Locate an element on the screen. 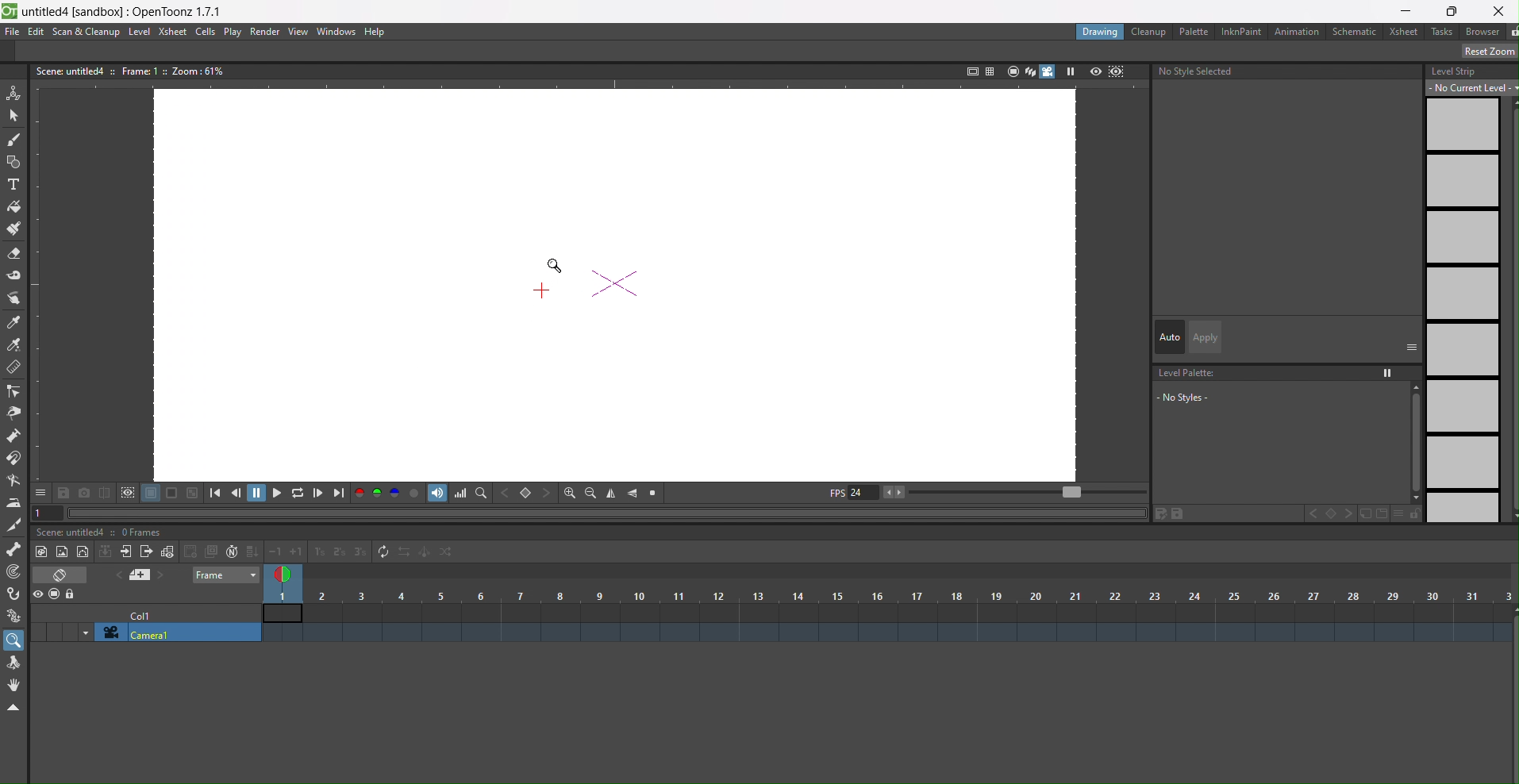 The width and height of the screenshot is (1519, 784). text is located at coordinates (129, 71).